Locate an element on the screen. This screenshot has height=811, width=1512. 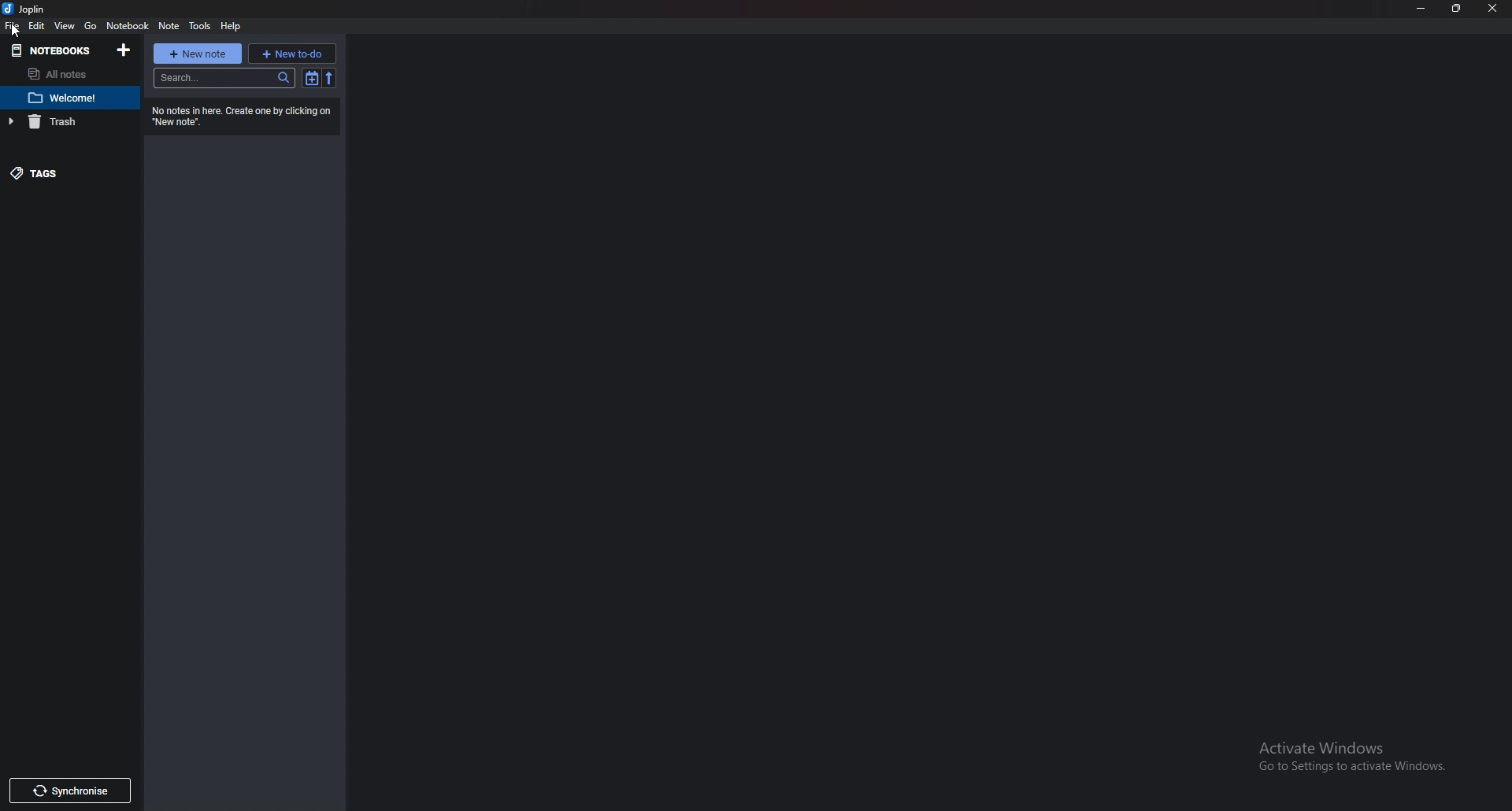
new to do is located at coordinates (292, 54).